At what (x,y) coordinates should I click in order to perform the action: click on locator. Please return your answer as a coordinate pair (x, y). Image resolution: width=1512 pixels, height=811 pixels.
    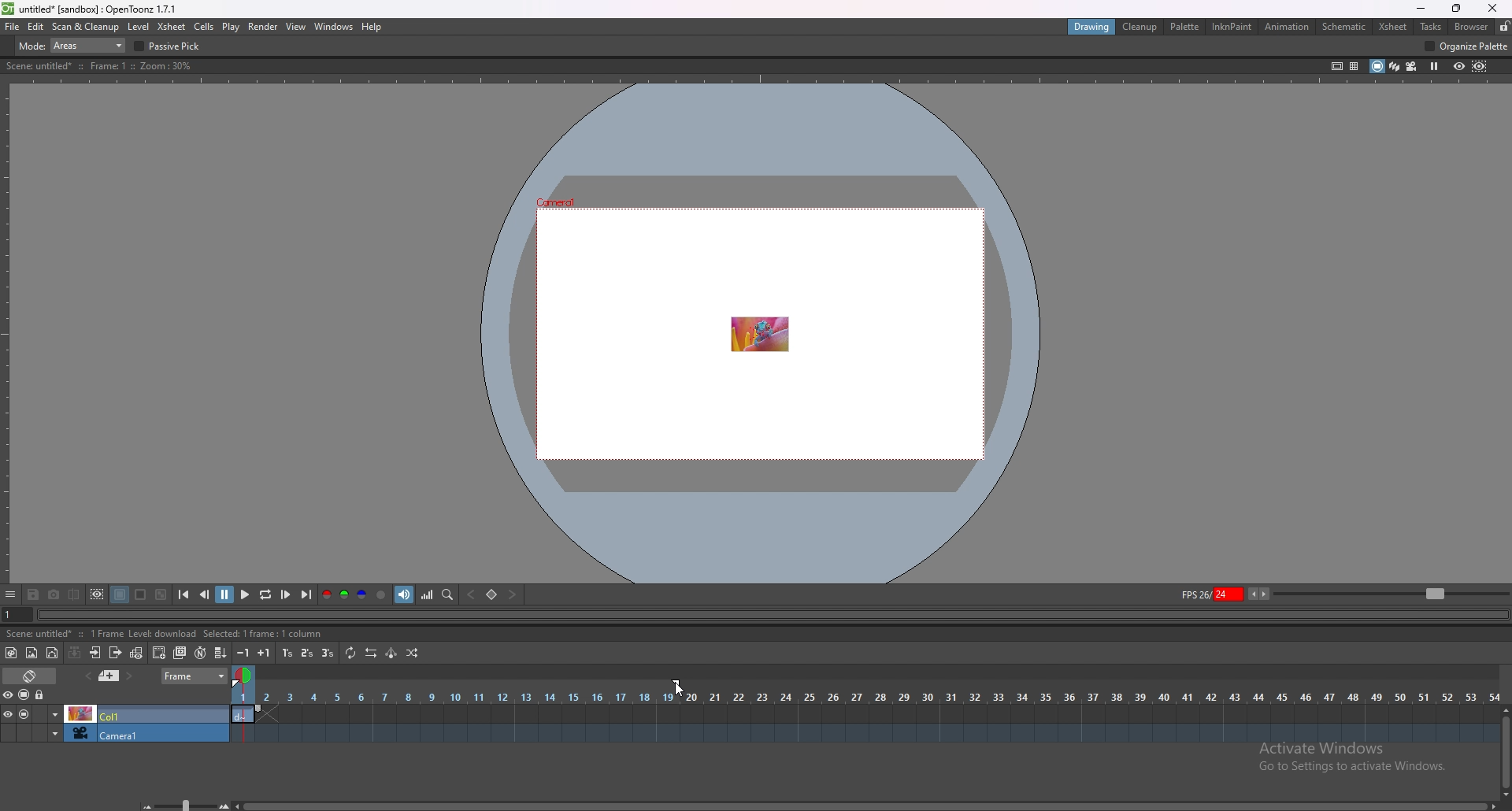
    Looking at the image, I should click on (449, 595).